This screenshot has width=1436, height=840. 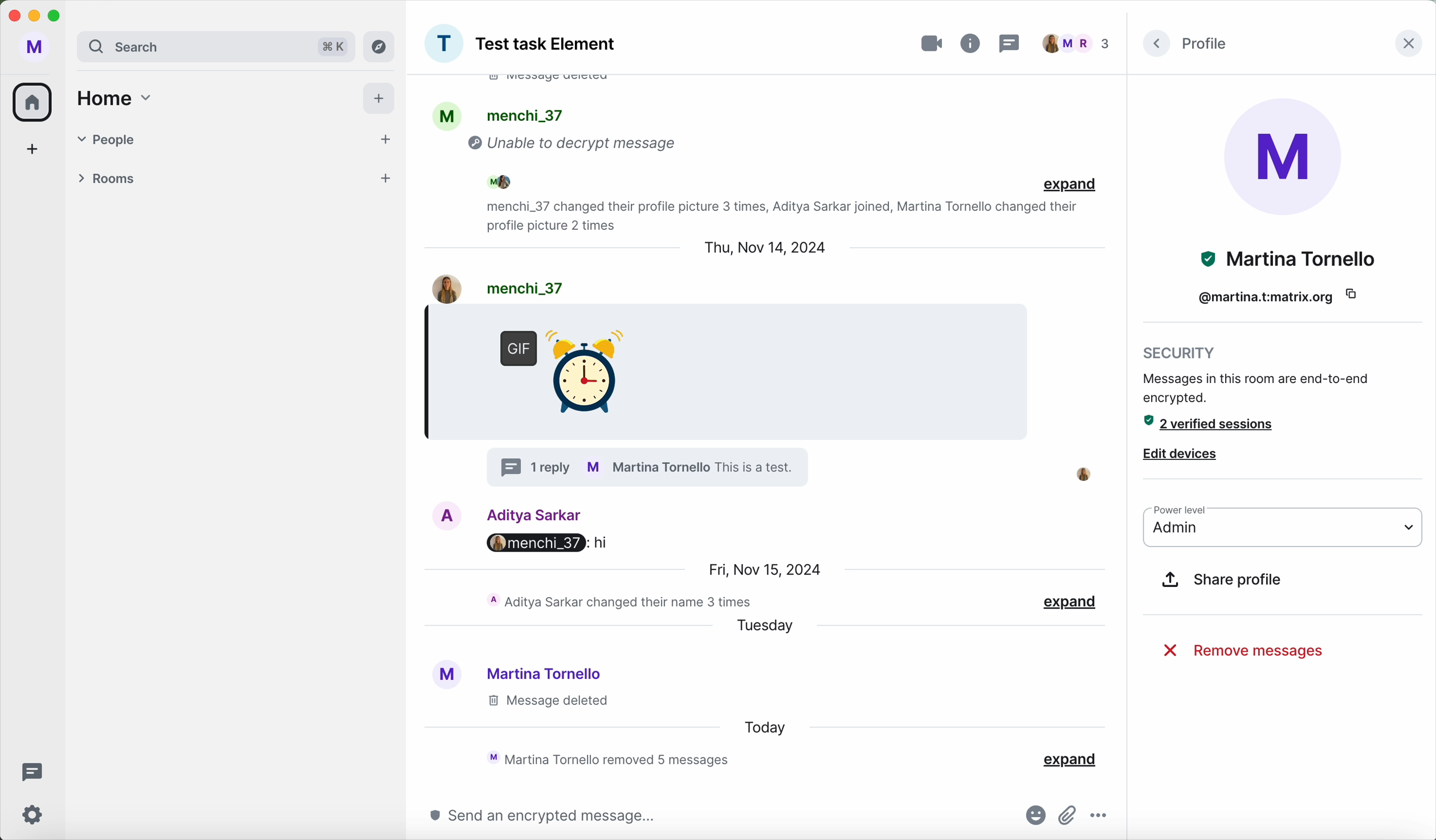 I want to click on profile, so click(x=448, y=115).